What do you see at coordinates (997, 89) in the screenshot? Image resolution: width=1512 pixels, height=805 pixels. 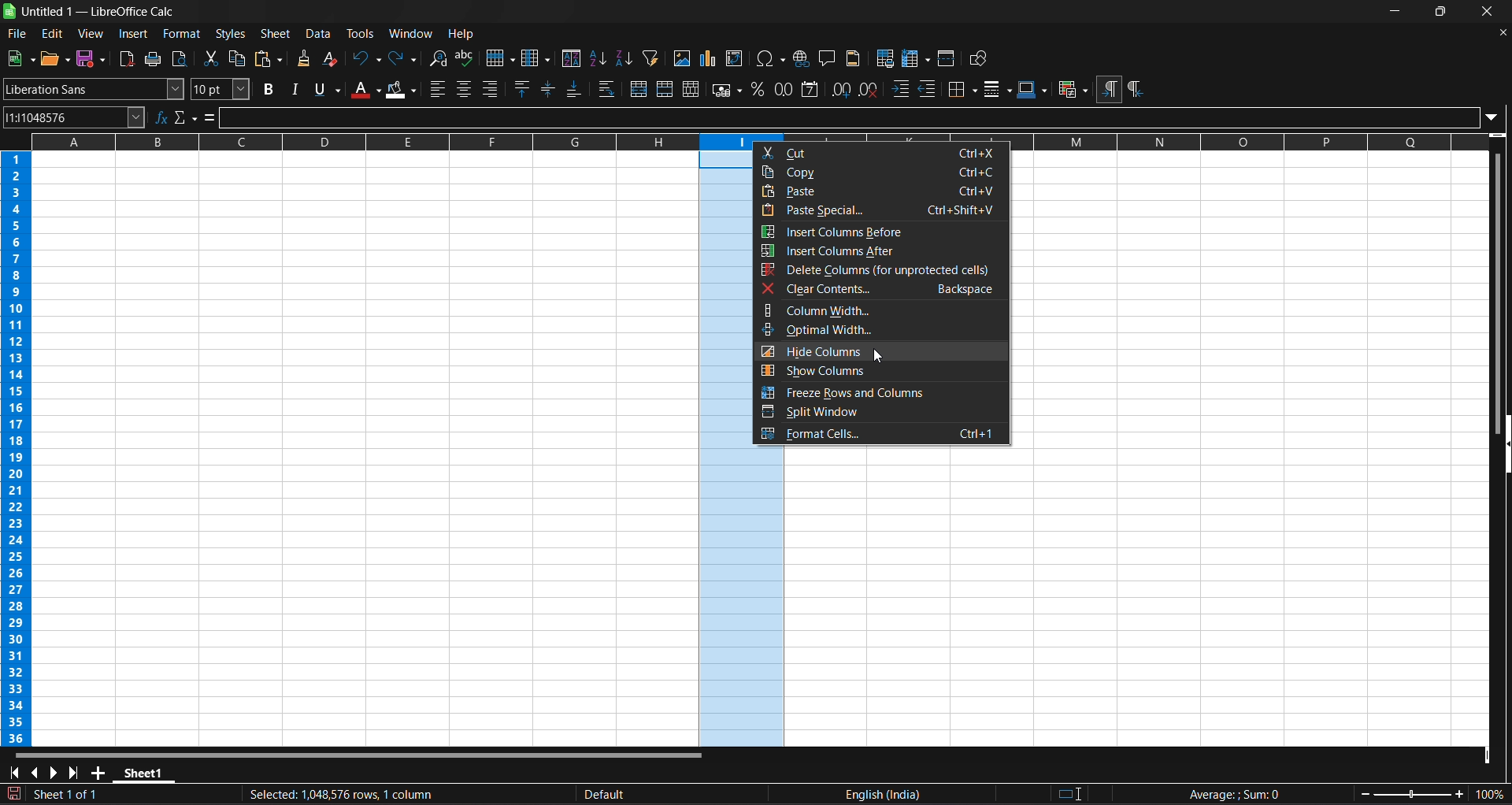 I see `border styles` at bounding box center [997, 89].